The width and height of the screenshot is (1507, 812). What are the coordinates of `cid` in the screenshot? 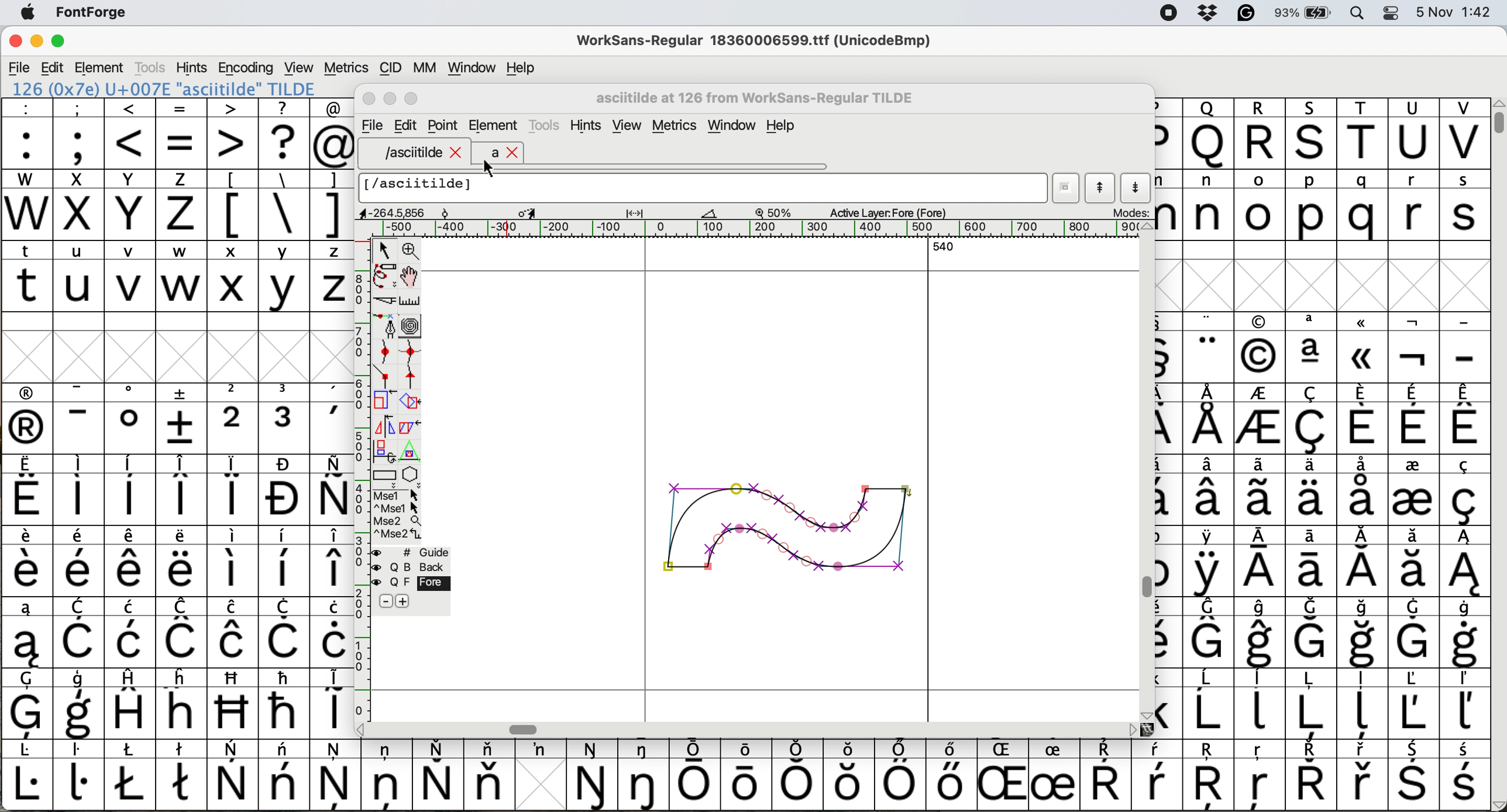 It's located at (389, 68).